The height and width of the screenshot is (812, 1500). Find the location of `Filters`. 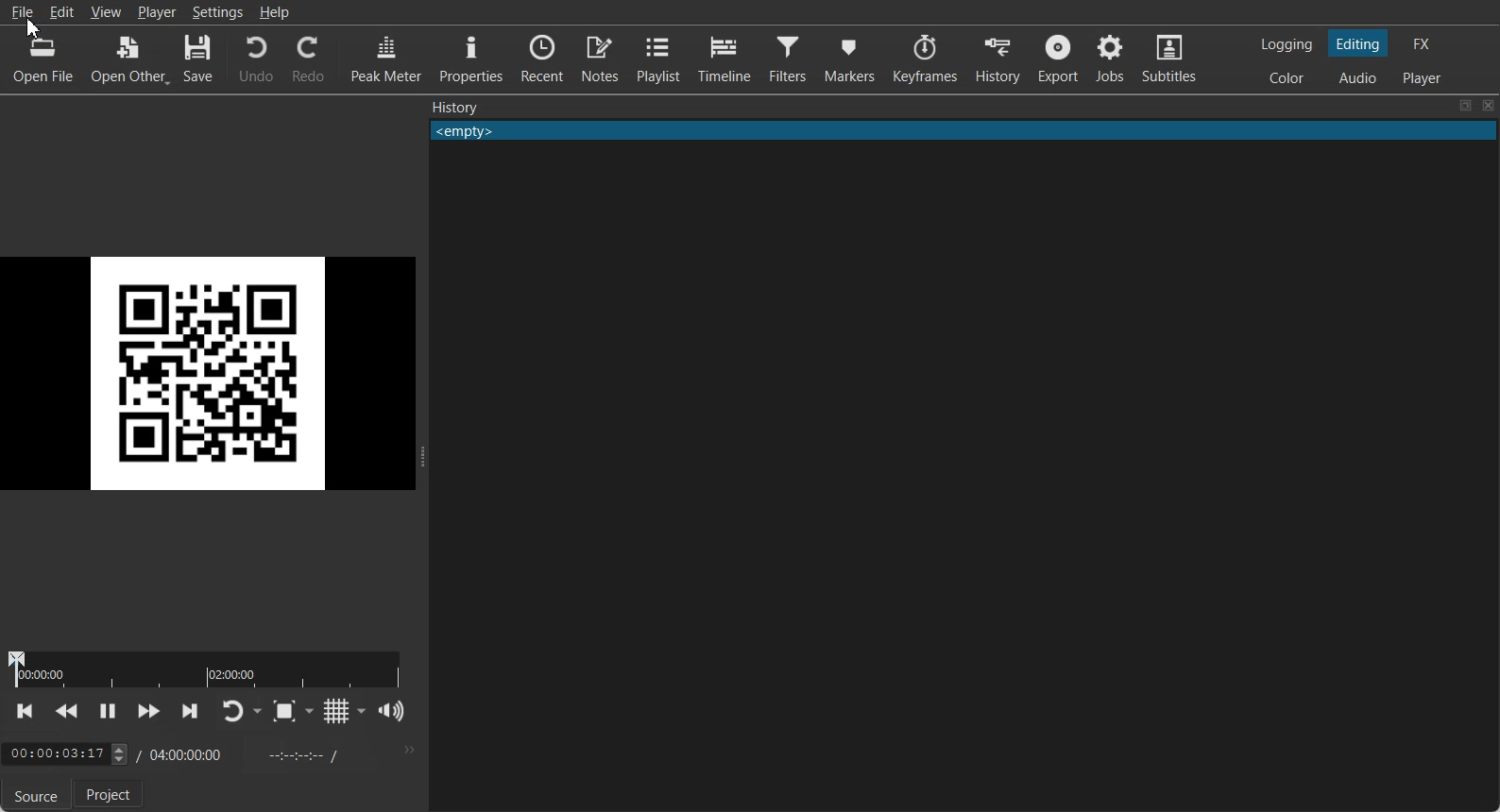

Filters is located at coordinates (787, 57).